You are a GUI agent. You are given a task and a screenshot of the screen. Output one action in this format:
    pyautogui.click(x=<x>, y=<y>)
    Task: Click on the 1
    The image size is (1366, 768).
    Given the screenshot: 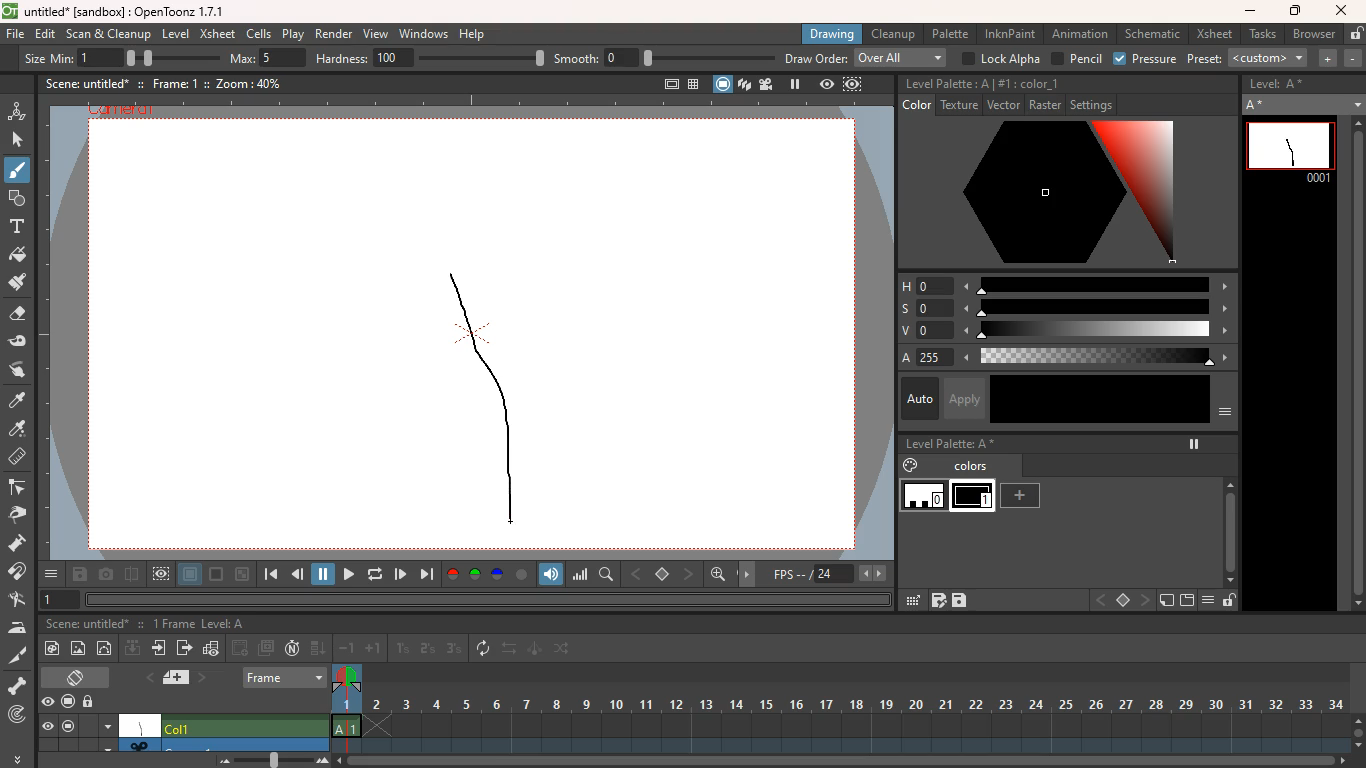 What is the action you would take?
    pyautogui.click(x=403, y=648)
    